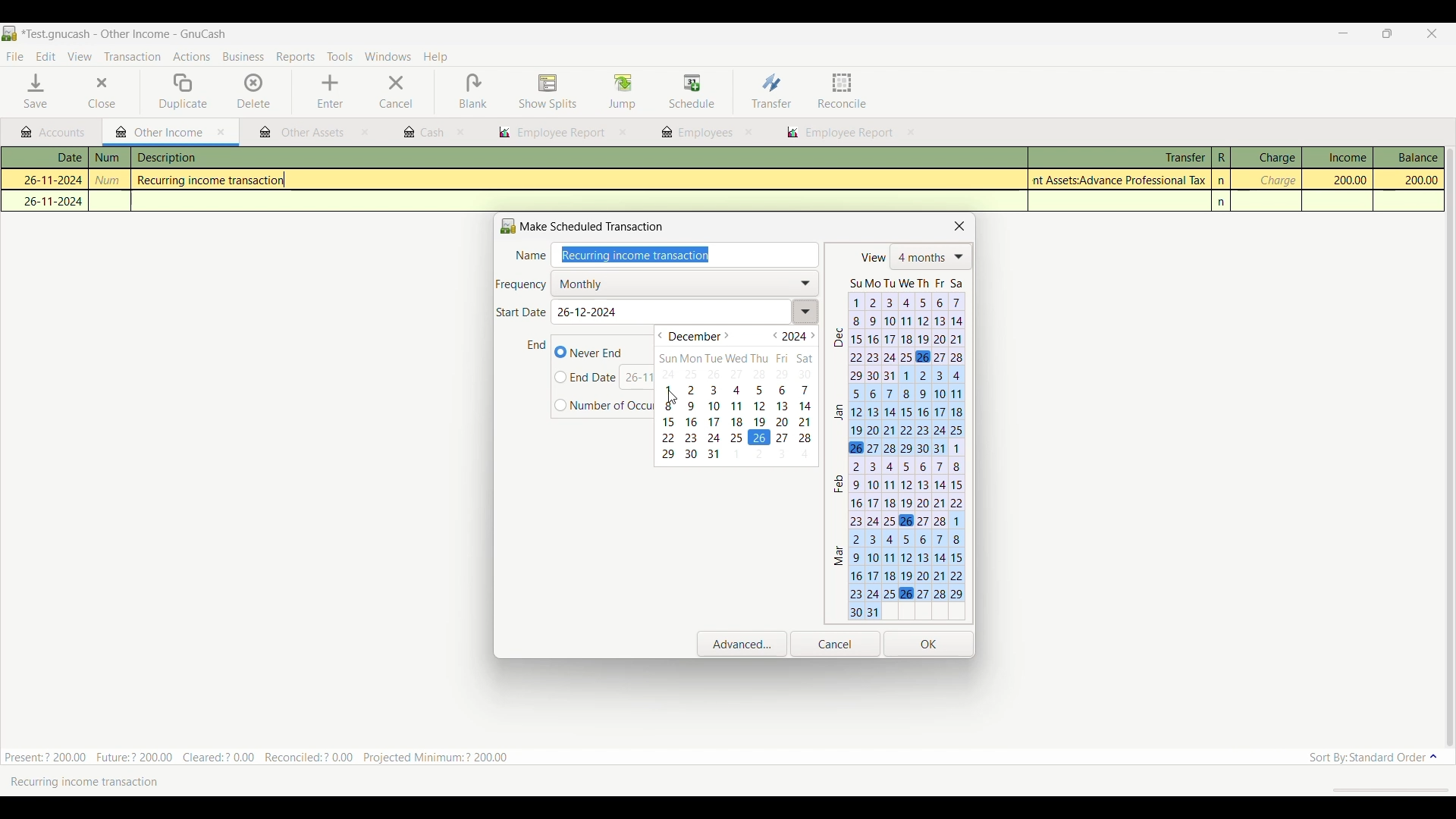 The image size is (1456, 819). I want to click on Close current tab, so click(221, 133).